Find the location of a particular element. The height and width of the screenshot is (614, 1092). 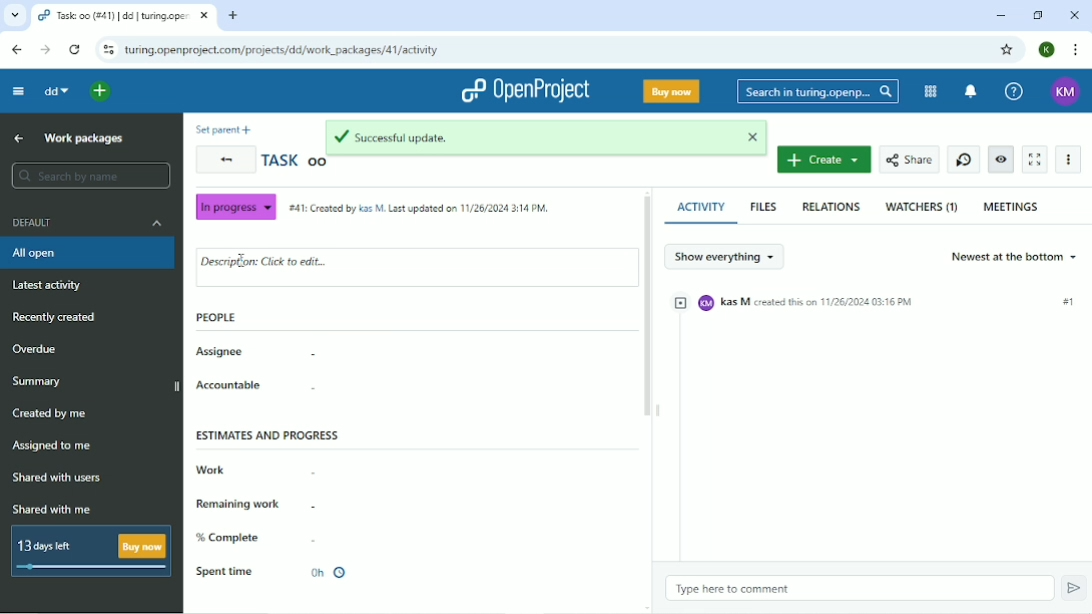

Default is located at coordinates (87, 223).